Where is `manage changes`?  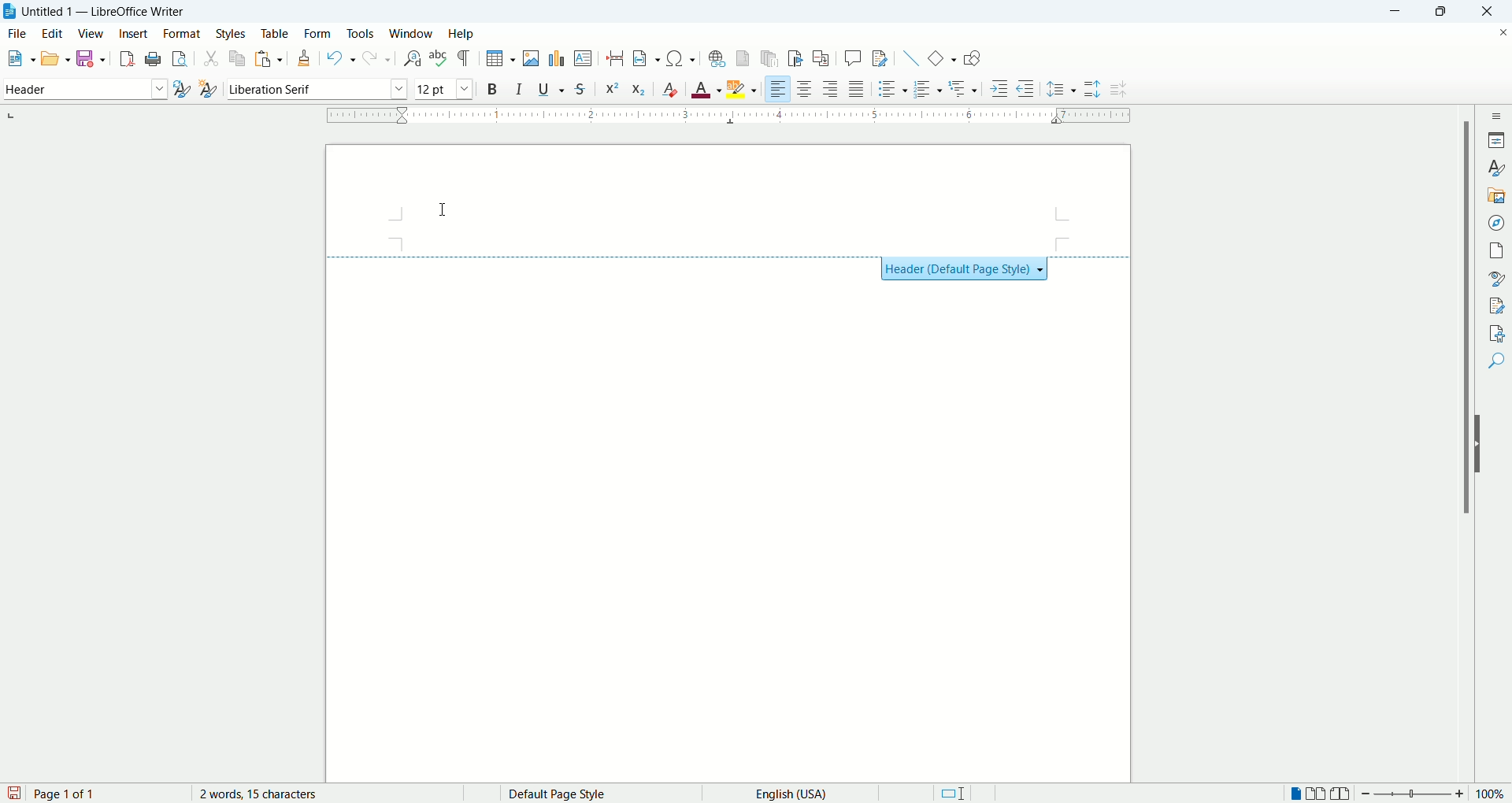
manage changes is located at coordinates (1496, 305).